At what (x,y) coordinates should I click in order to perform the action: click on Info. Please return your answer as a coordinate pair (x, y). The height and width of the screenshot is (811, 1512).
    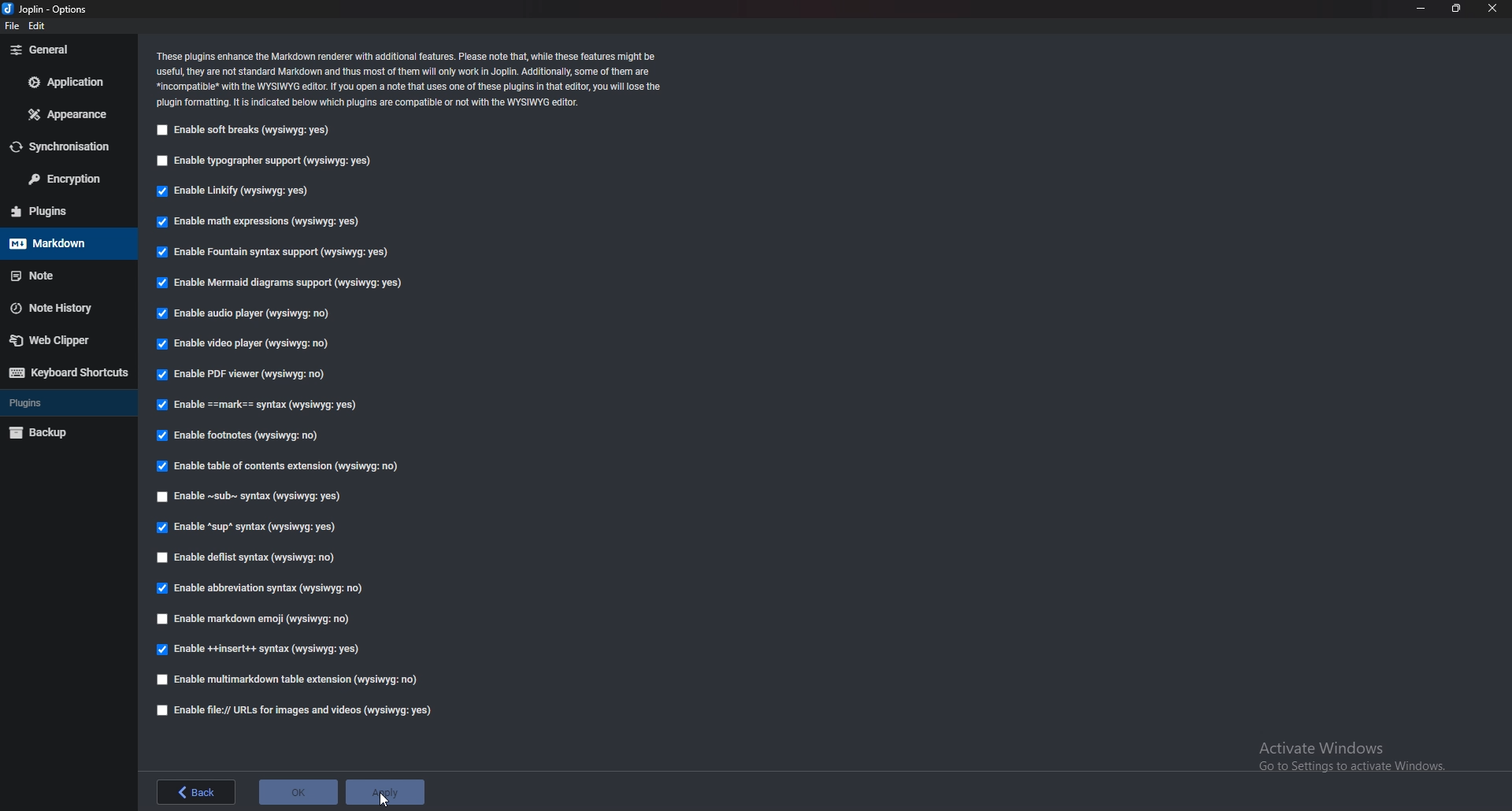
    Looking at the image, I should click on (411, 79).